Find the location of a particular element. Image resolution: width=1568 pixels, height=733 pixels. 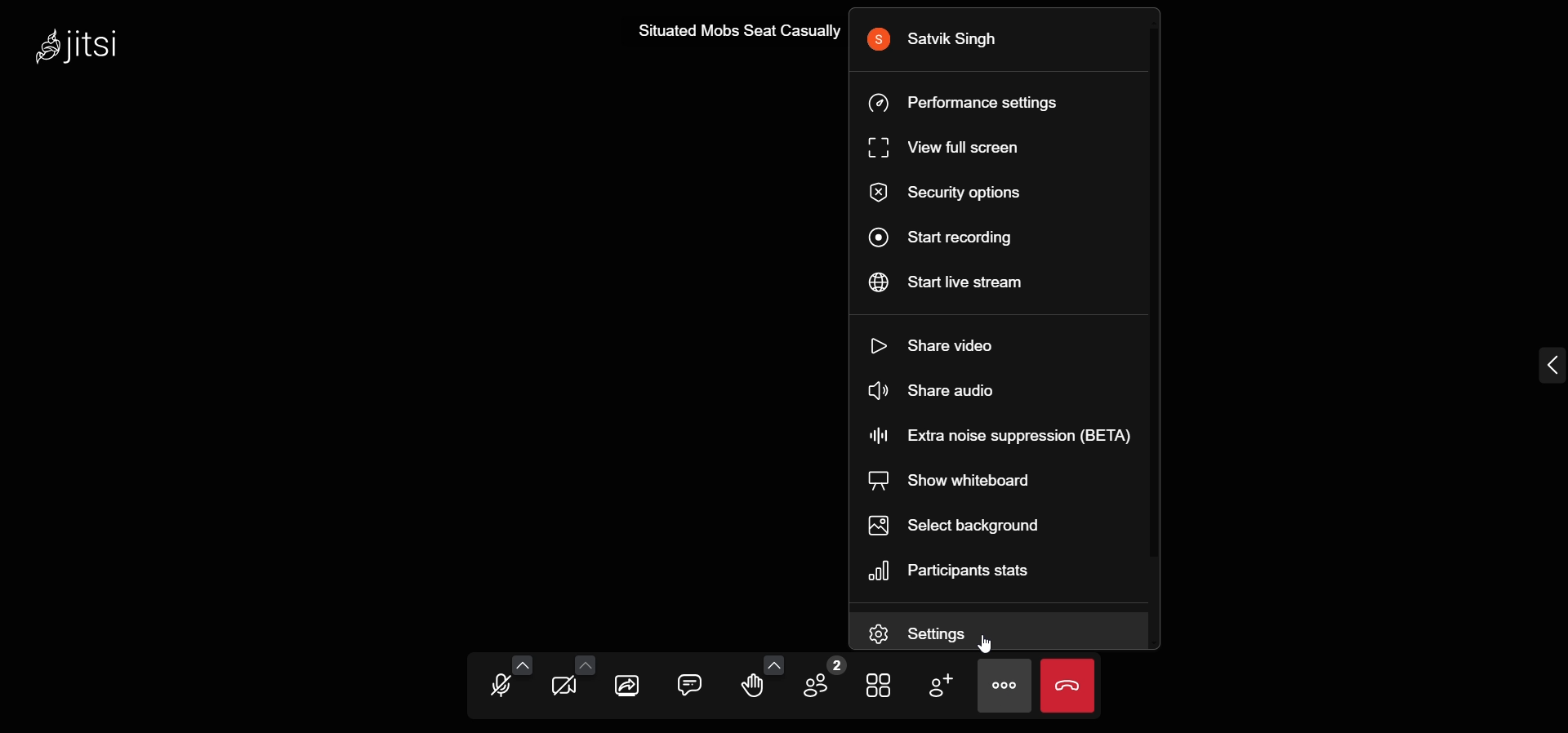

participant stat is located at coordinates (956, 571).